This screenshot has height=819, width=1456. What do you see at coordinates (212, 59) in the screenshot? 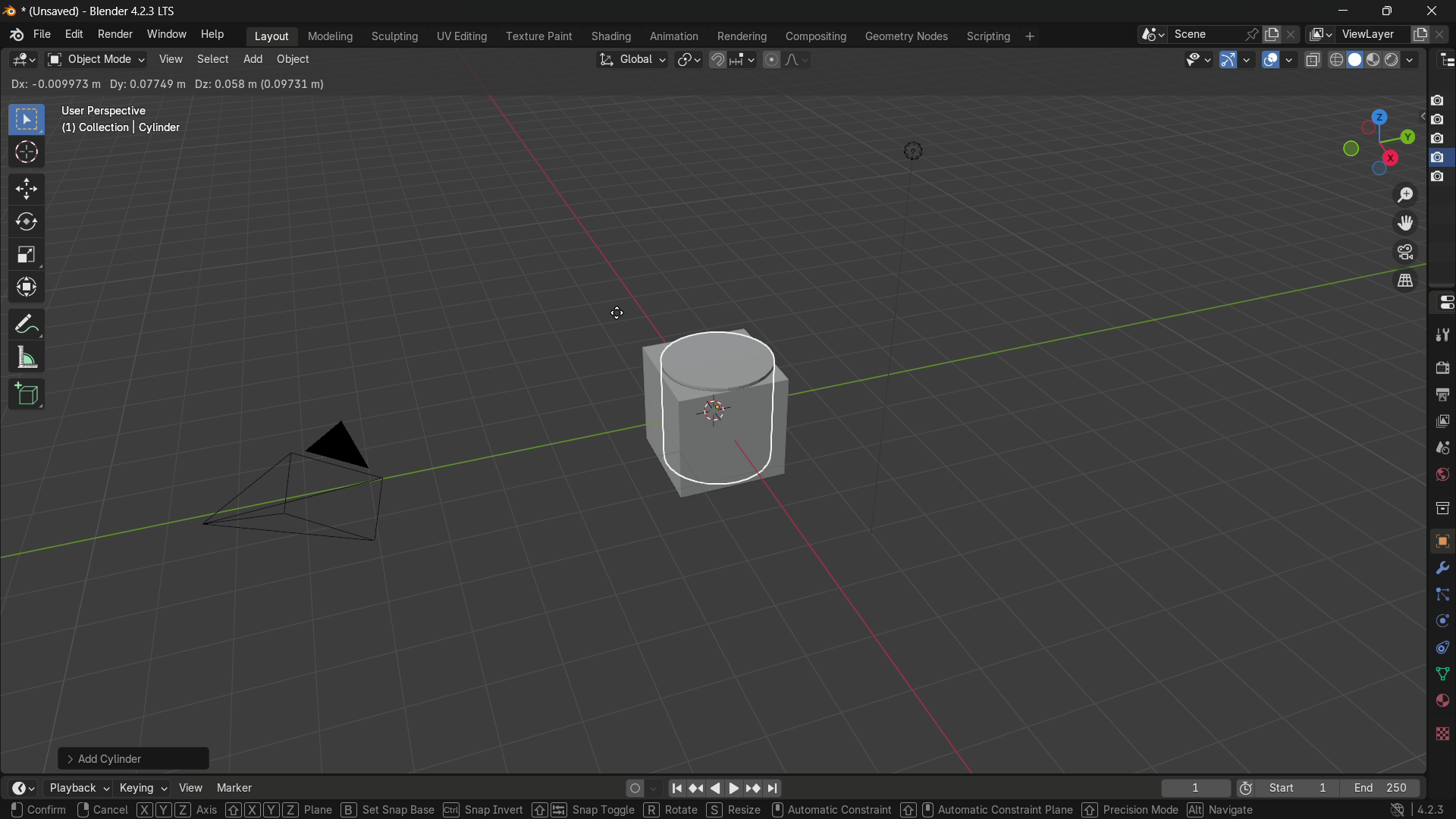
I see `select` at bounding box center [212, 59].